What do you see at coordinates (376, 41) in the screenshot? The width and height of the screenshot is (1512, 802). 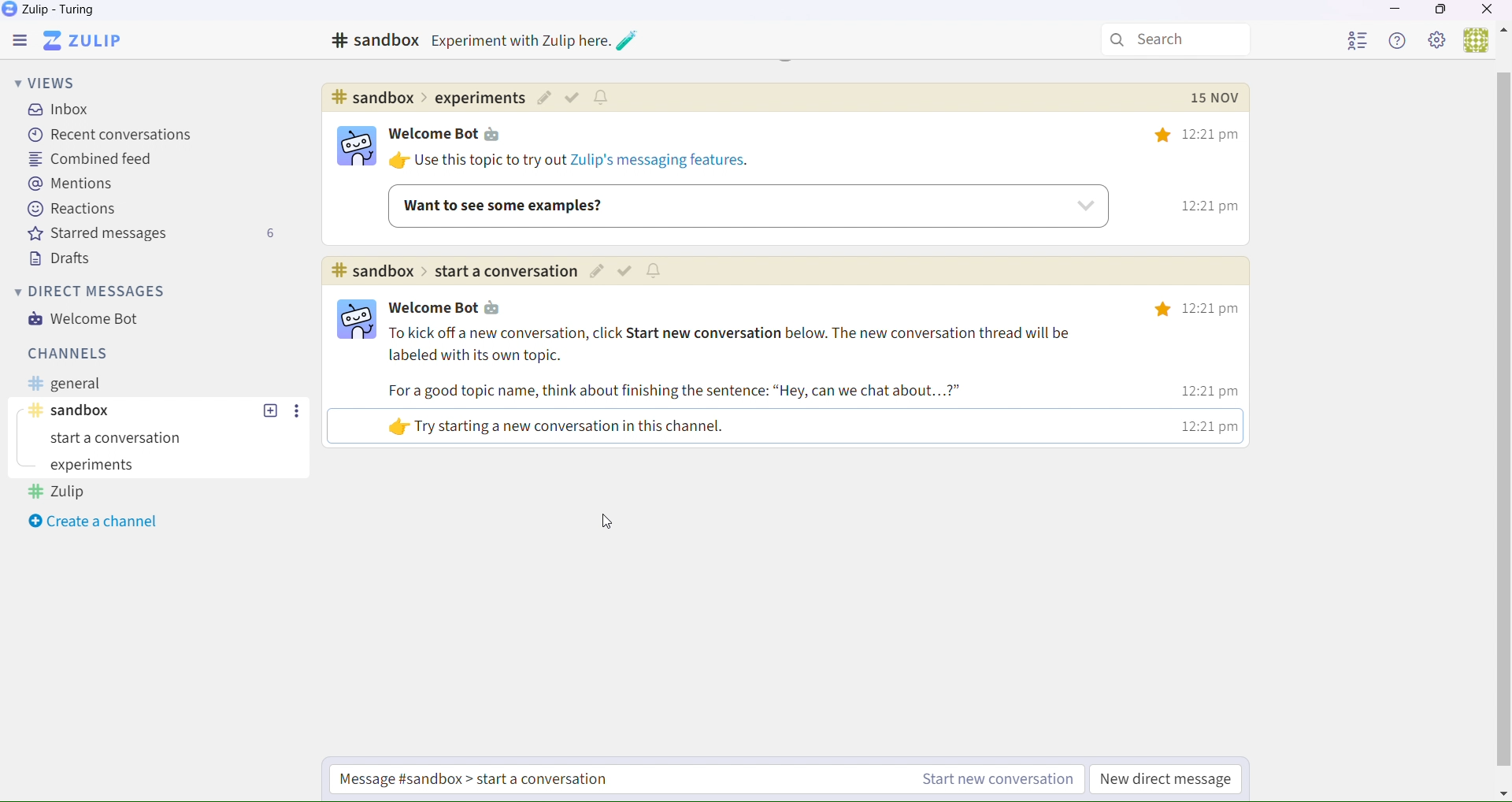 I see `#sandbox` at bounding box center [376, 41].